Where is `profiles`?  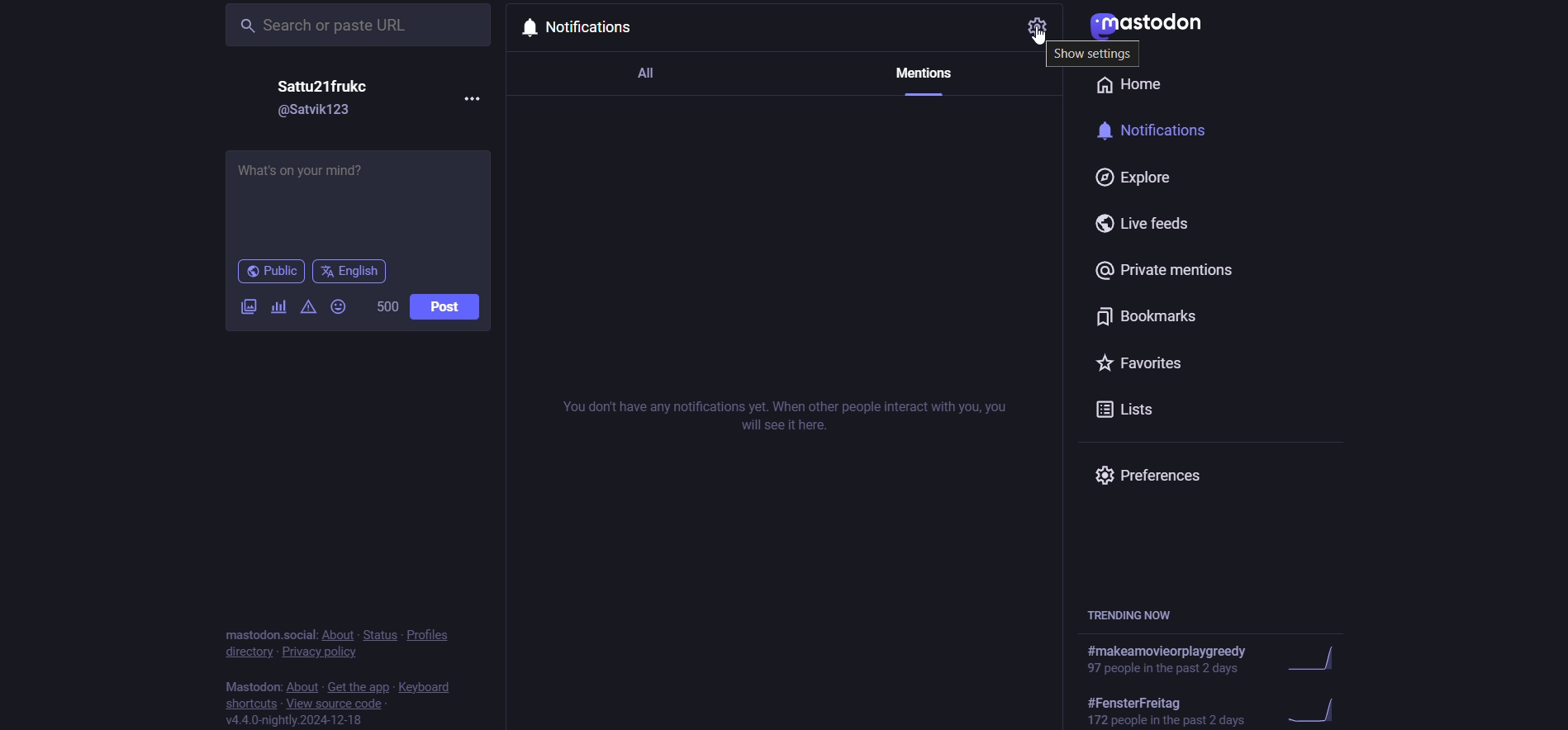
profiles is located at coordinates (432, 633).